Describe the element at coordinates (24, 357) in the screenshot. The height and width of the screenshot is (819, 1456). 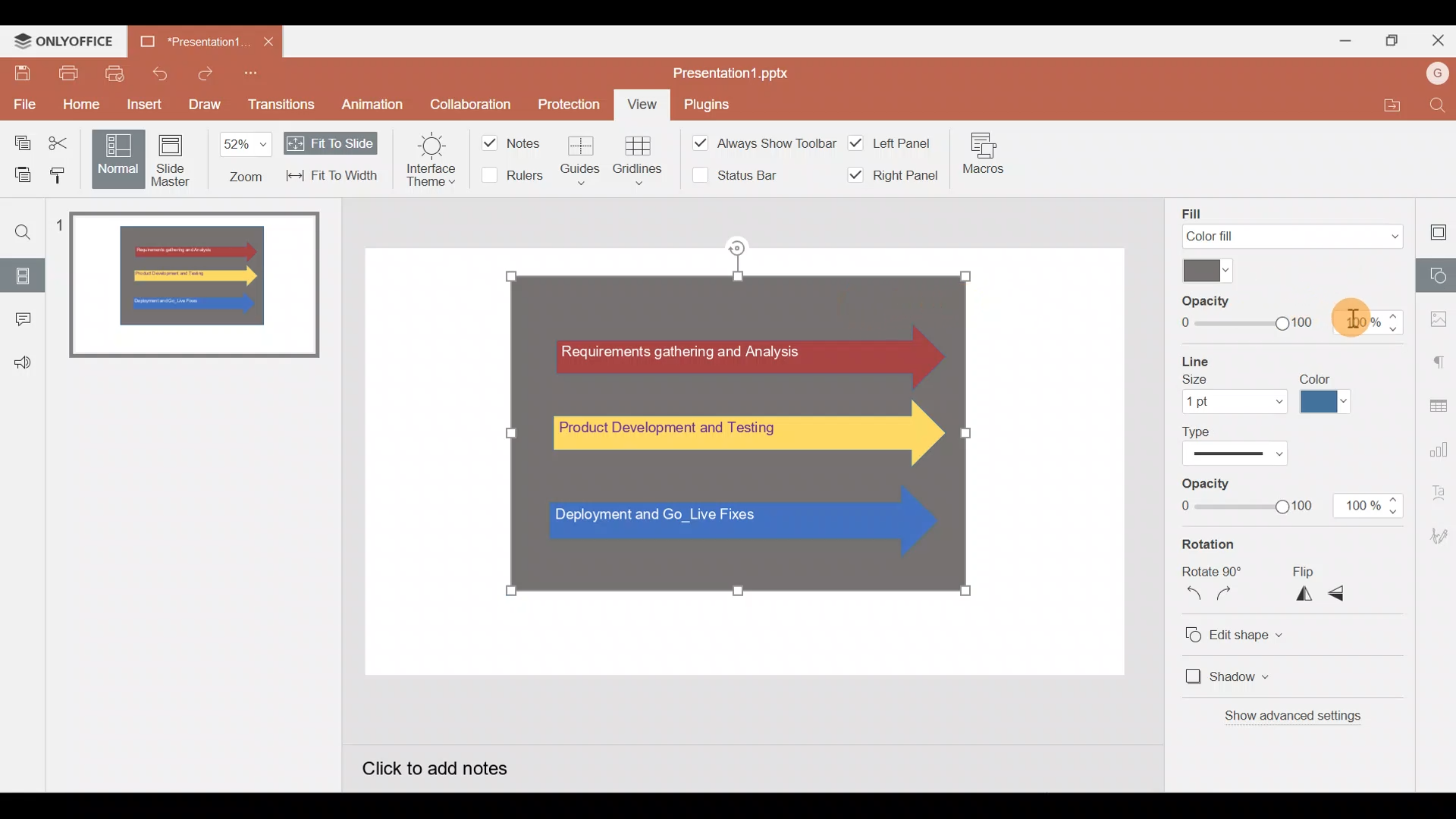
I see `Feedback & support` at that location.